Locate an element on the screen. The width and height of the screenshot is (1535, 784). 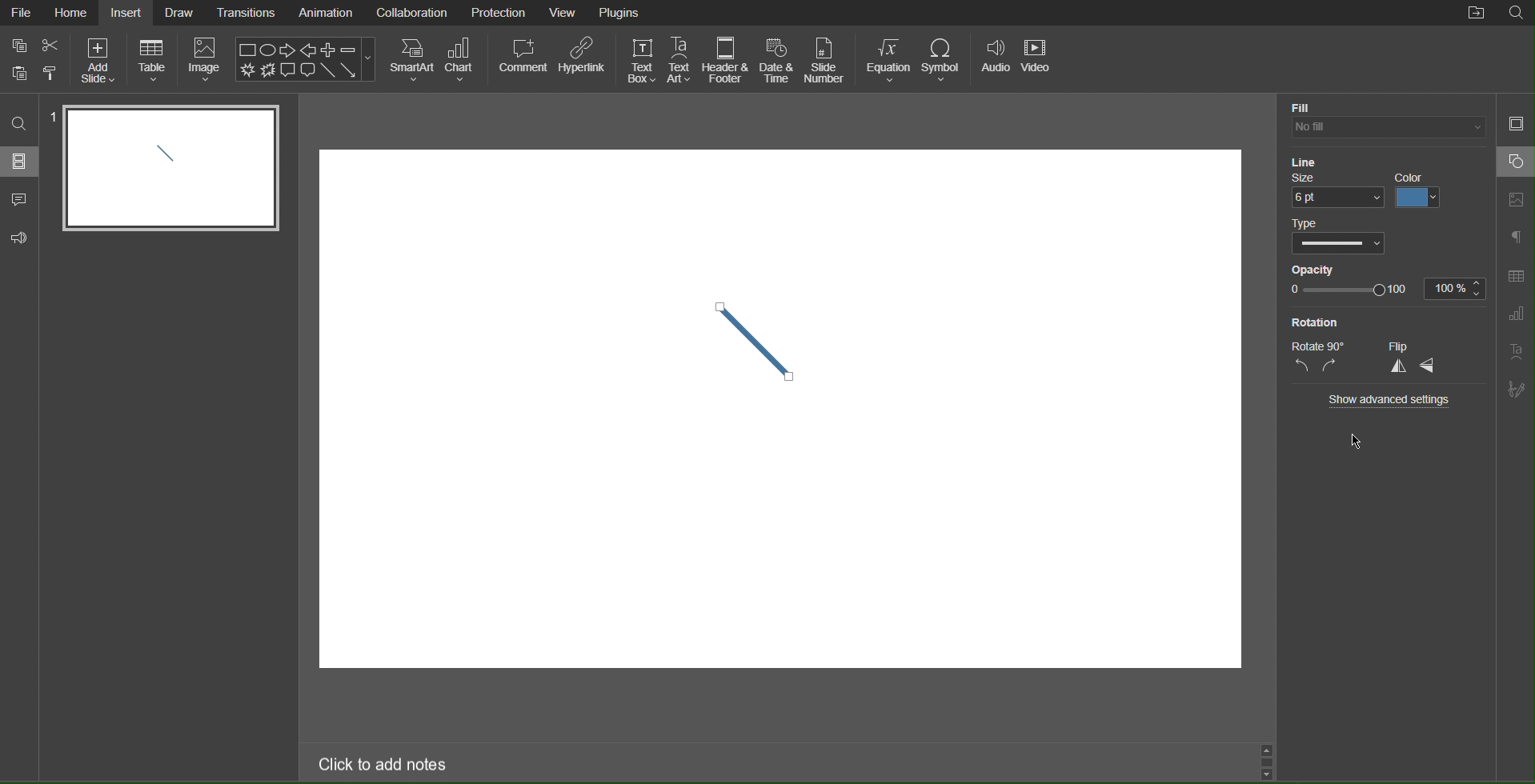
Copy style is located at coordinates (54, 74).